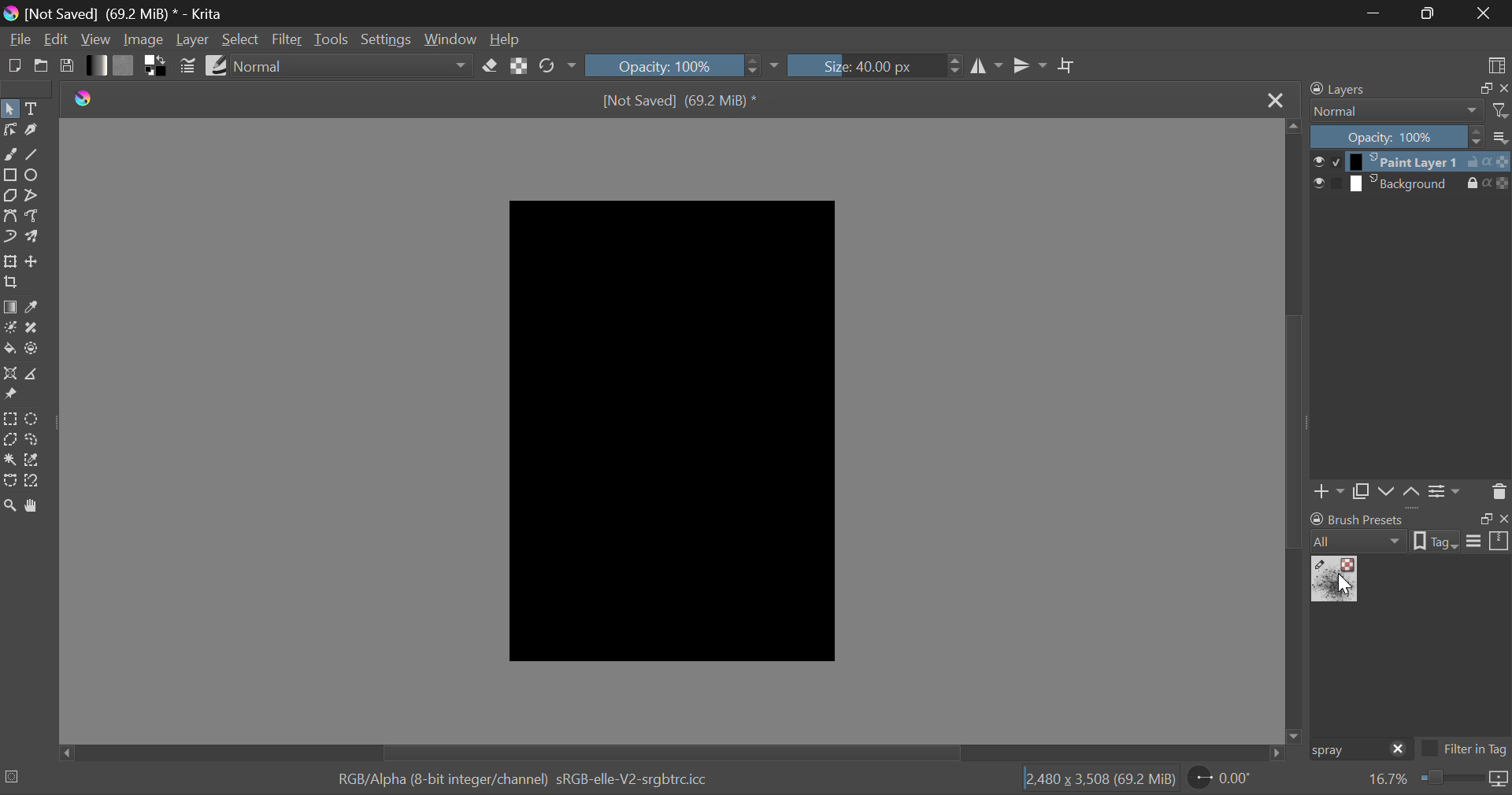 The height and width of the screenshot is (795, 1512). What do you see at coordinates (1501, 136) in the screenshot?
I see `more` at bounding box center [1501, 136].